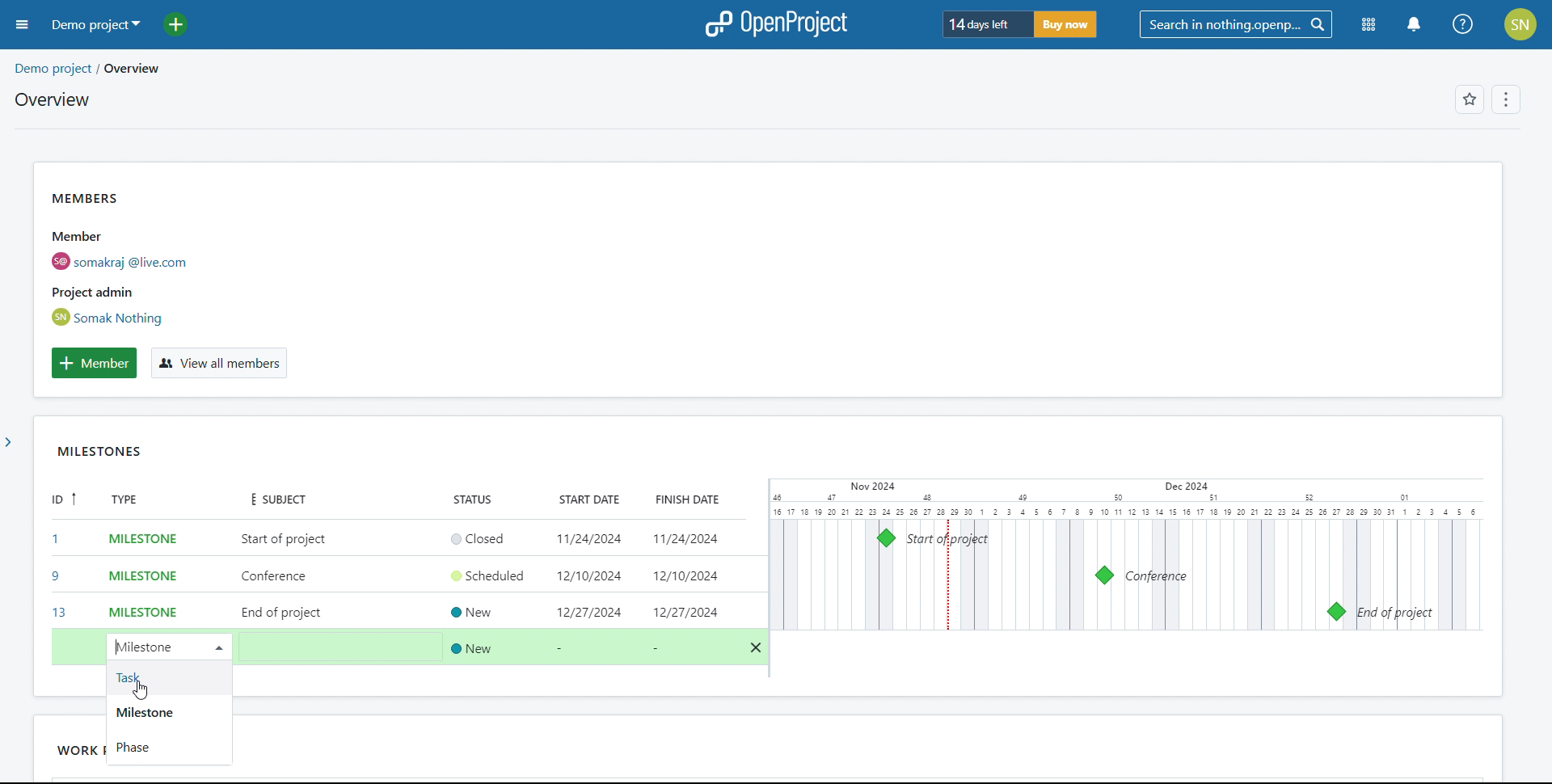 This screenshot has width=1552, height=784. Describe the element at coordinates (167, 711) in the screenshot. I see `milestone` at that location.